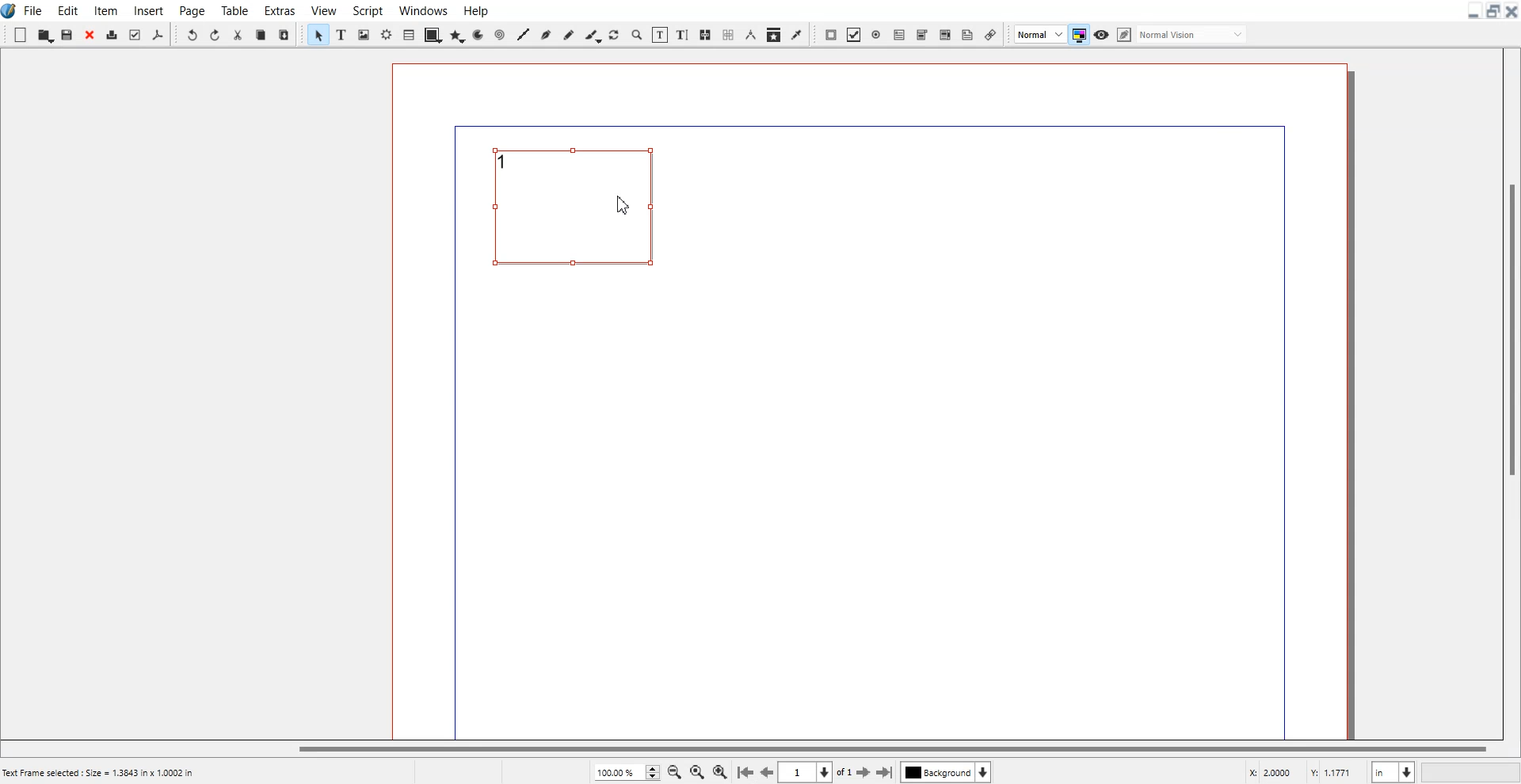 This screenshot has width=1521, height=784. I want to click on Windows, so click(422, 10).